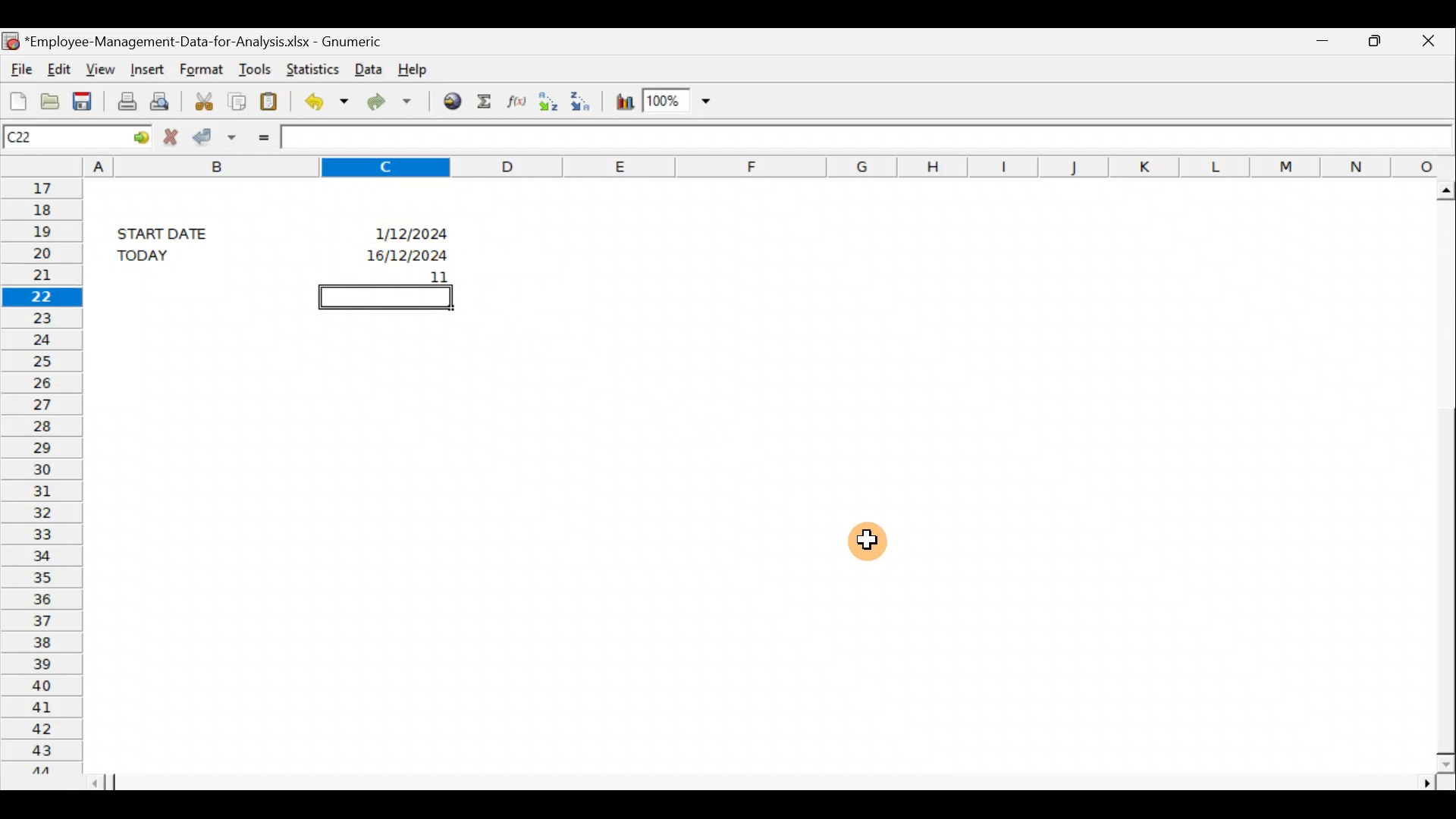  Describe the element at coordinates (1425, 42) in the screenshot. I see `Close` at that location.